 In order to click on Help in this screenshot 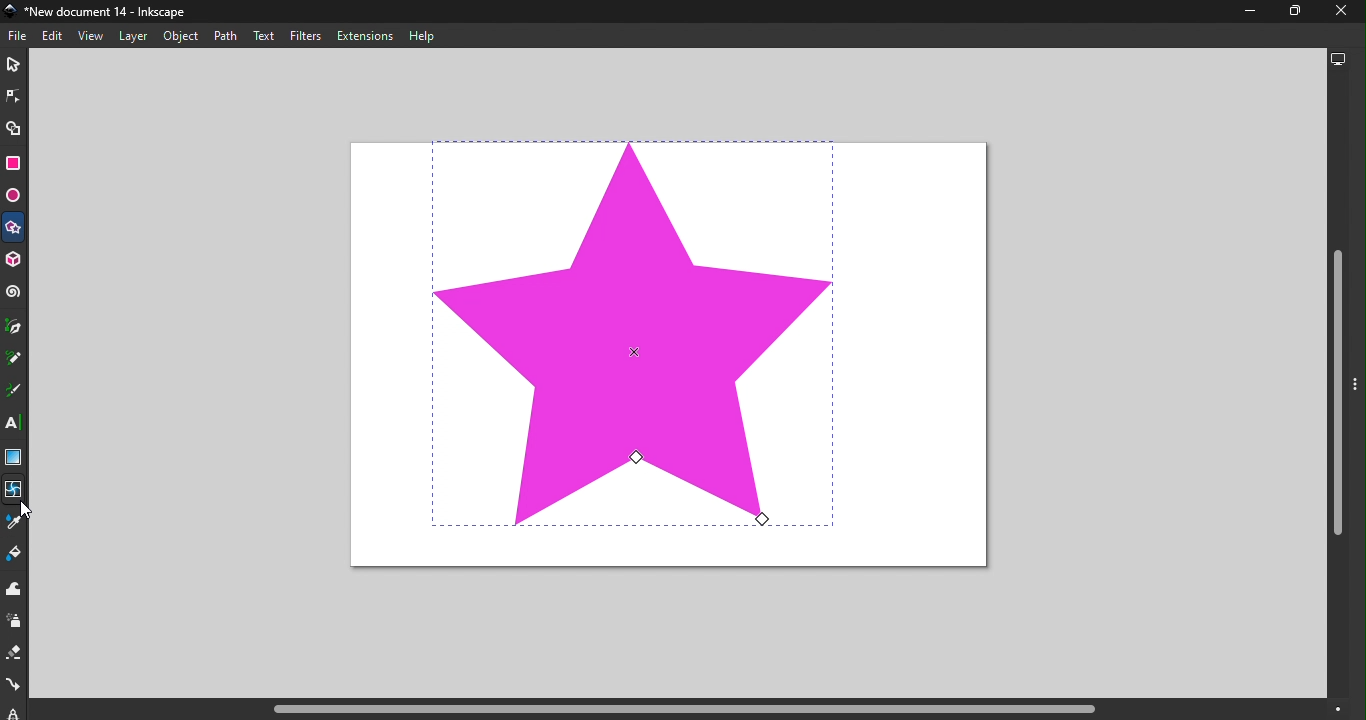, I will do `click(428, 34)`.